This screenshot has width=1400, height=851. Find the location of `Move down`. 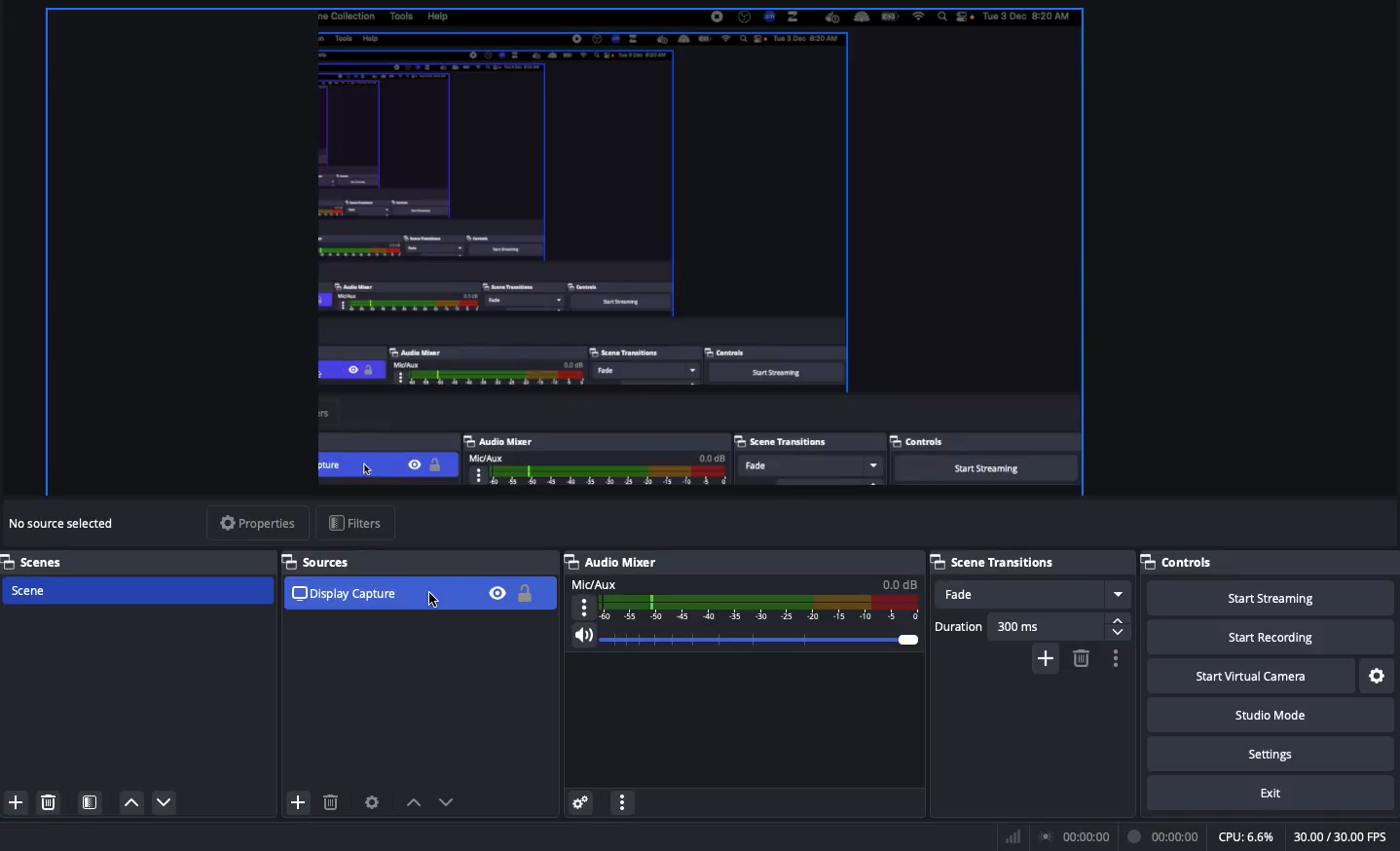

Move down is located at coordinates (164, 804).